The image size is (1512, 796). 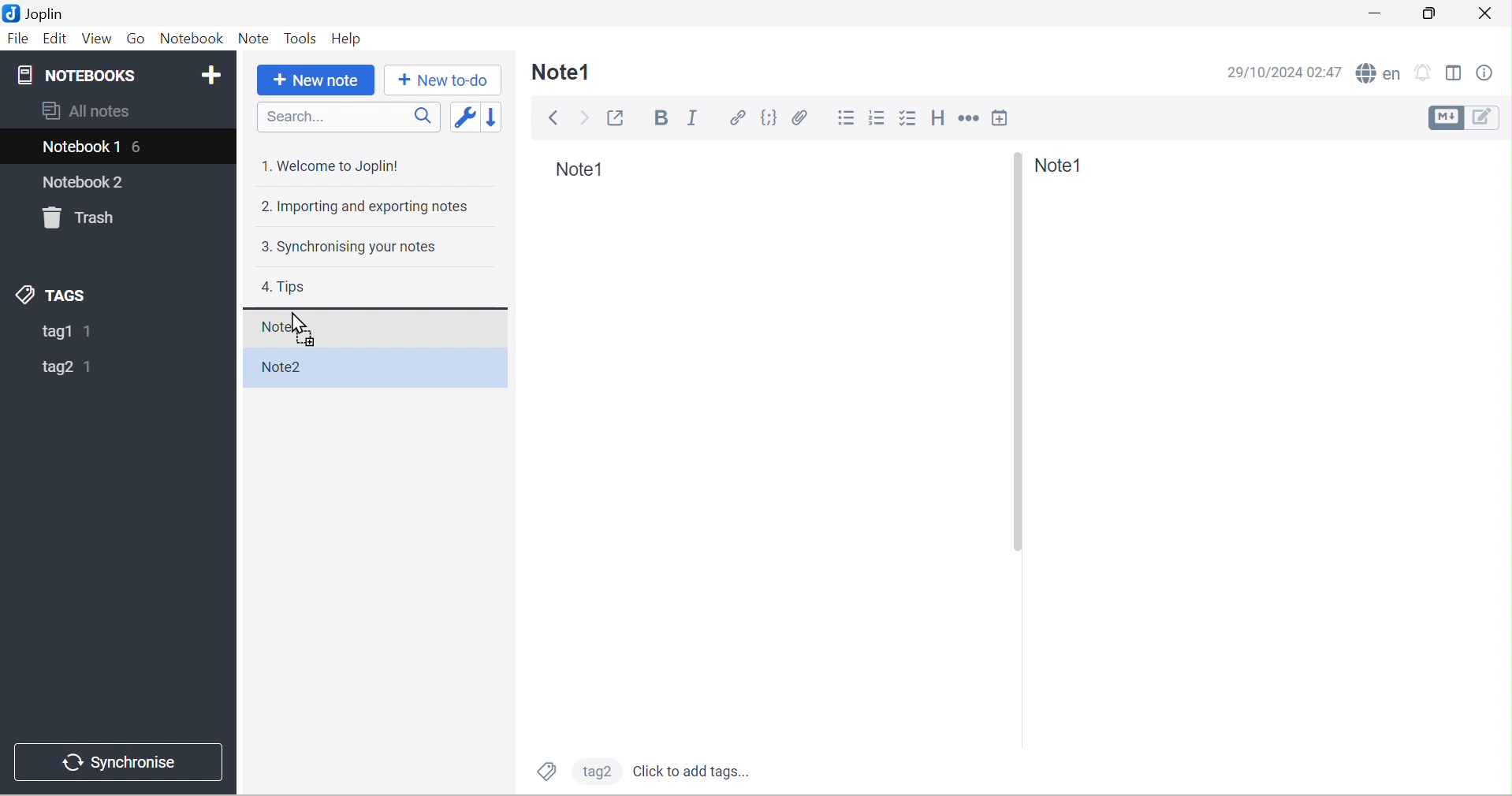 I want to click on Set alarm, so click(x=1424, y=72).